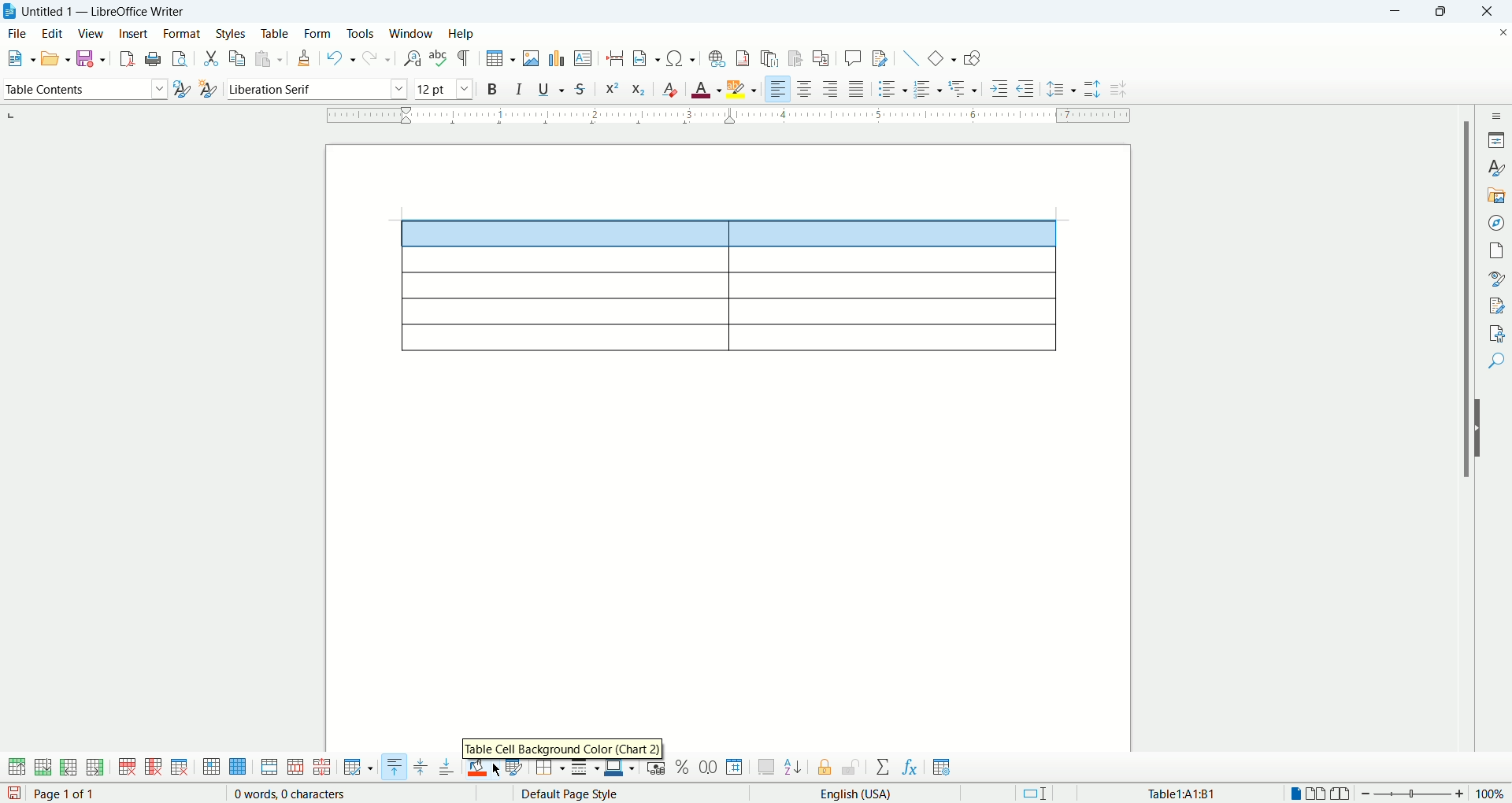 This screenshot has height=803, width=1512. What do you see at coordinates (831, 87) in the screenshot?
I see `left align` at bounding box center [831, 87].